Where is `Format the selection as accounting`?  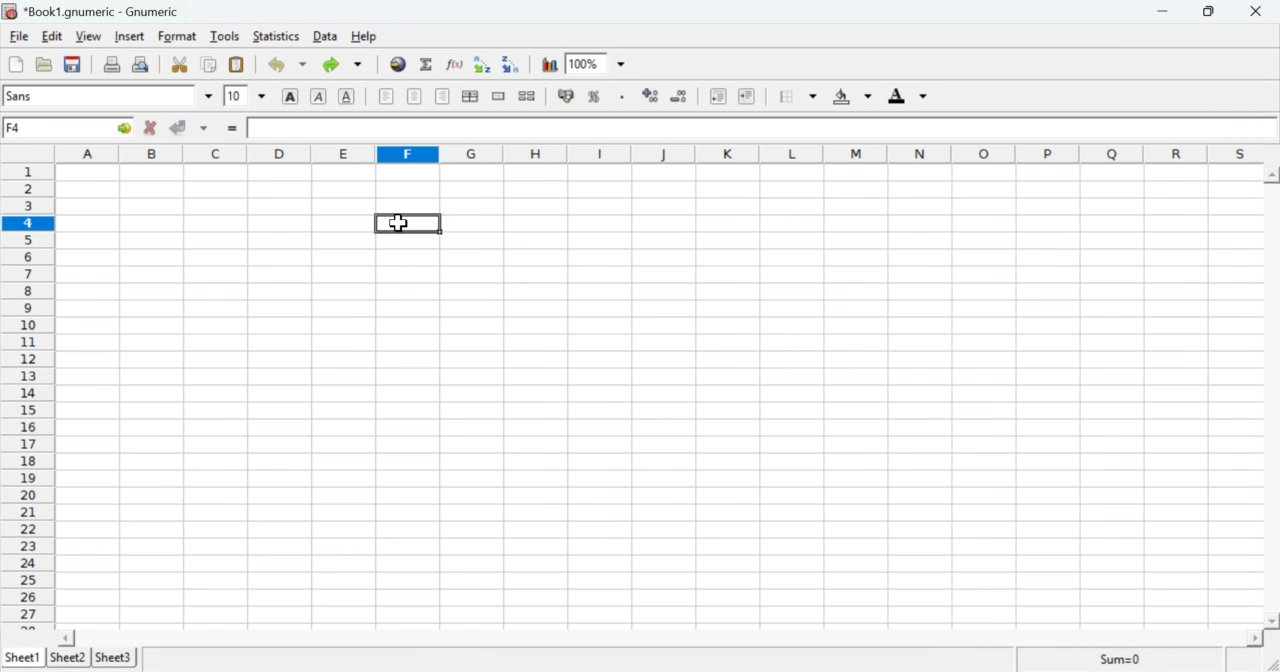
Format the selection as accounting is located at coordinates (566, 97).